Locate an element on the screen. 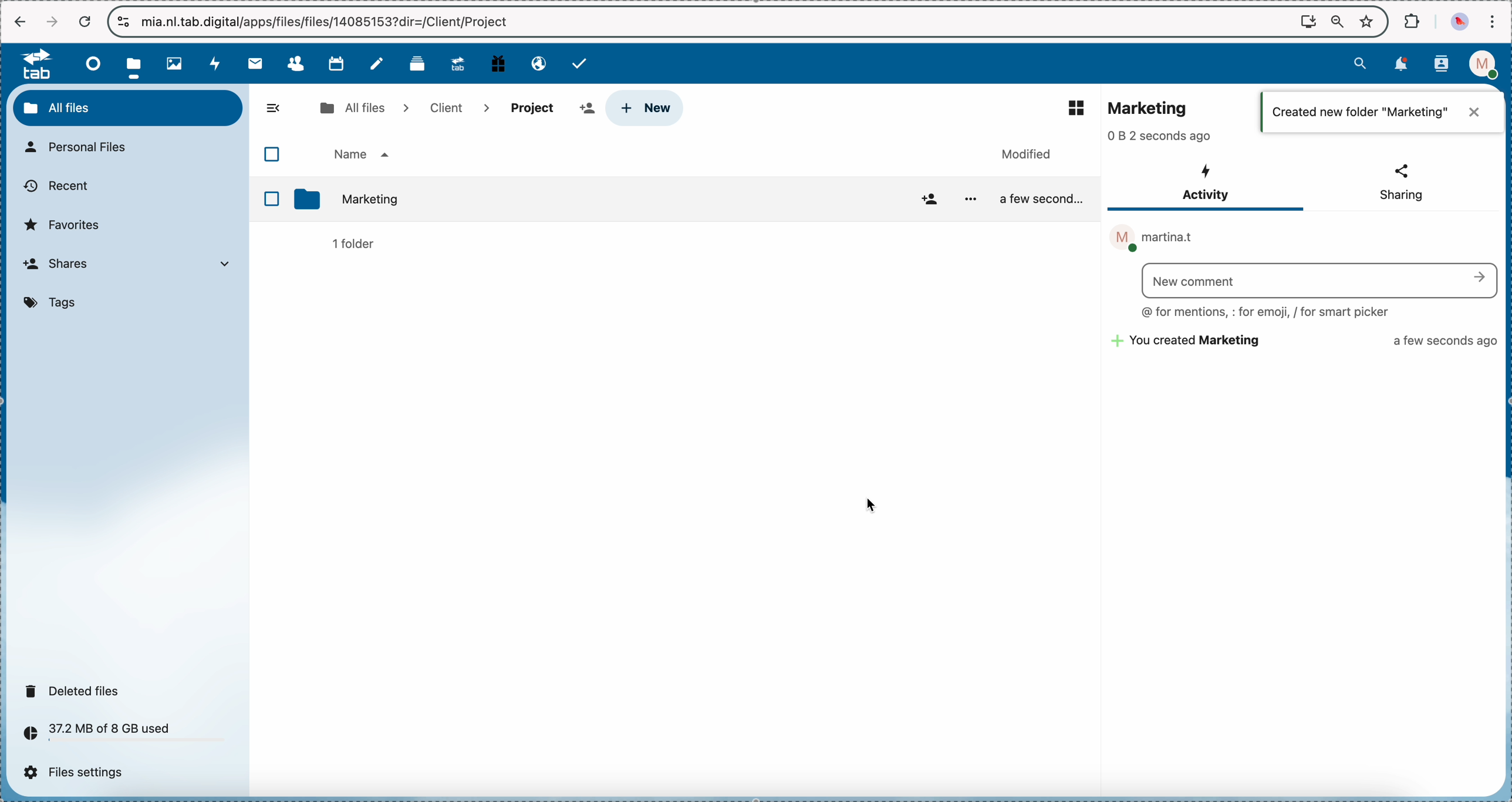 Image resolution: width=1512 pixels, height=802 pixels. photos is located at coordinates (178, 64).